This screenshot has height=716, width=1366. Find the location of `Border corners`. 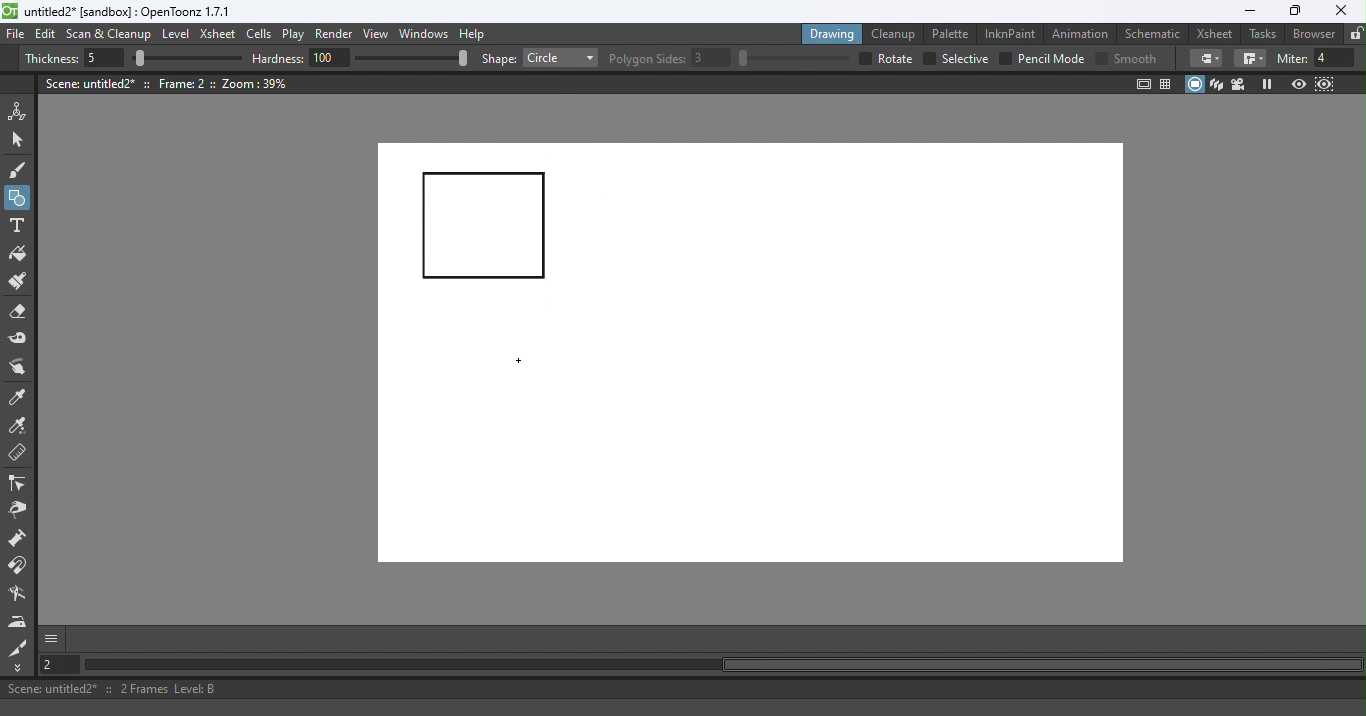

Border corners is located at coordinates (1250, 59).